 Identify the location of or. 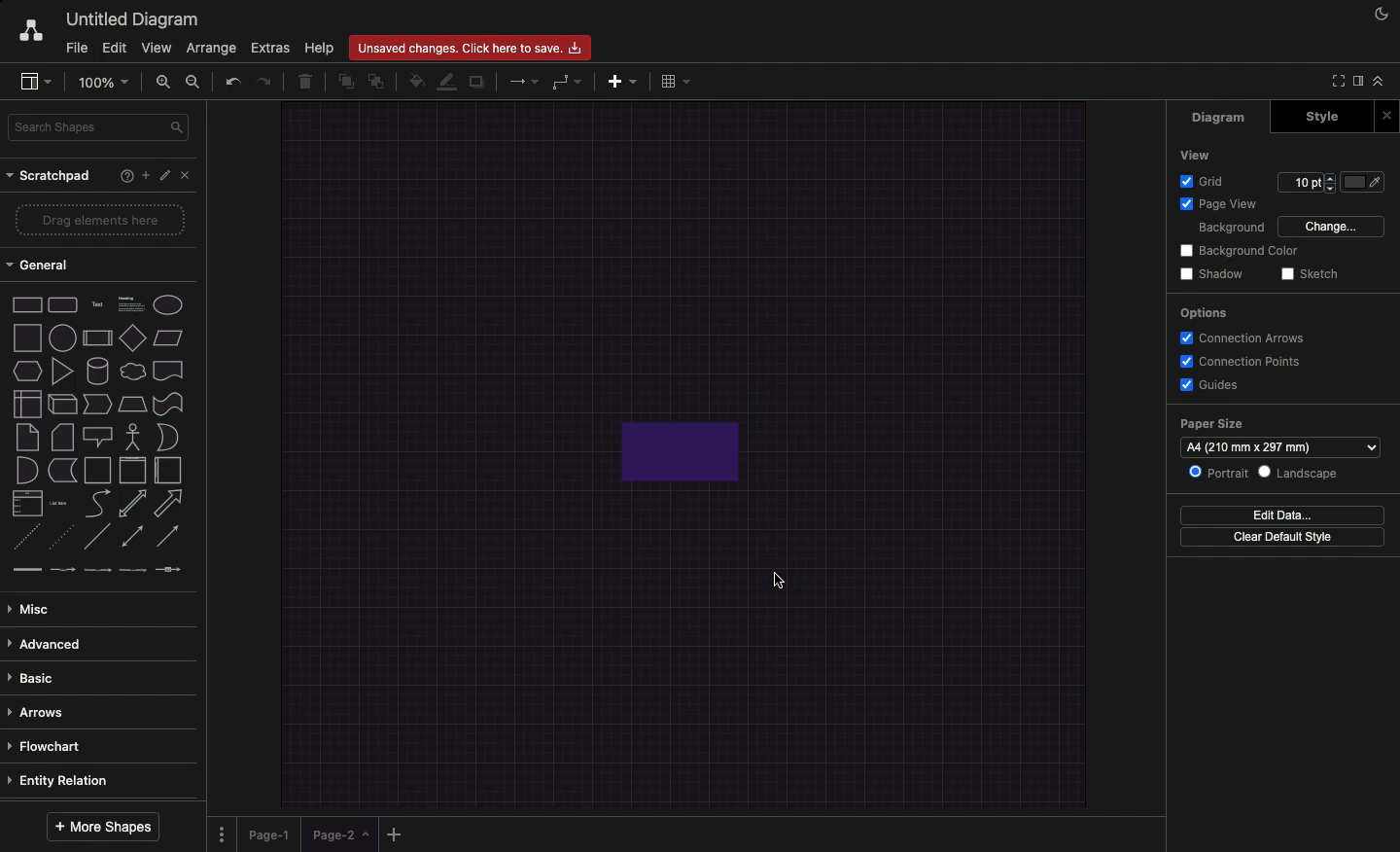
(167, 438).